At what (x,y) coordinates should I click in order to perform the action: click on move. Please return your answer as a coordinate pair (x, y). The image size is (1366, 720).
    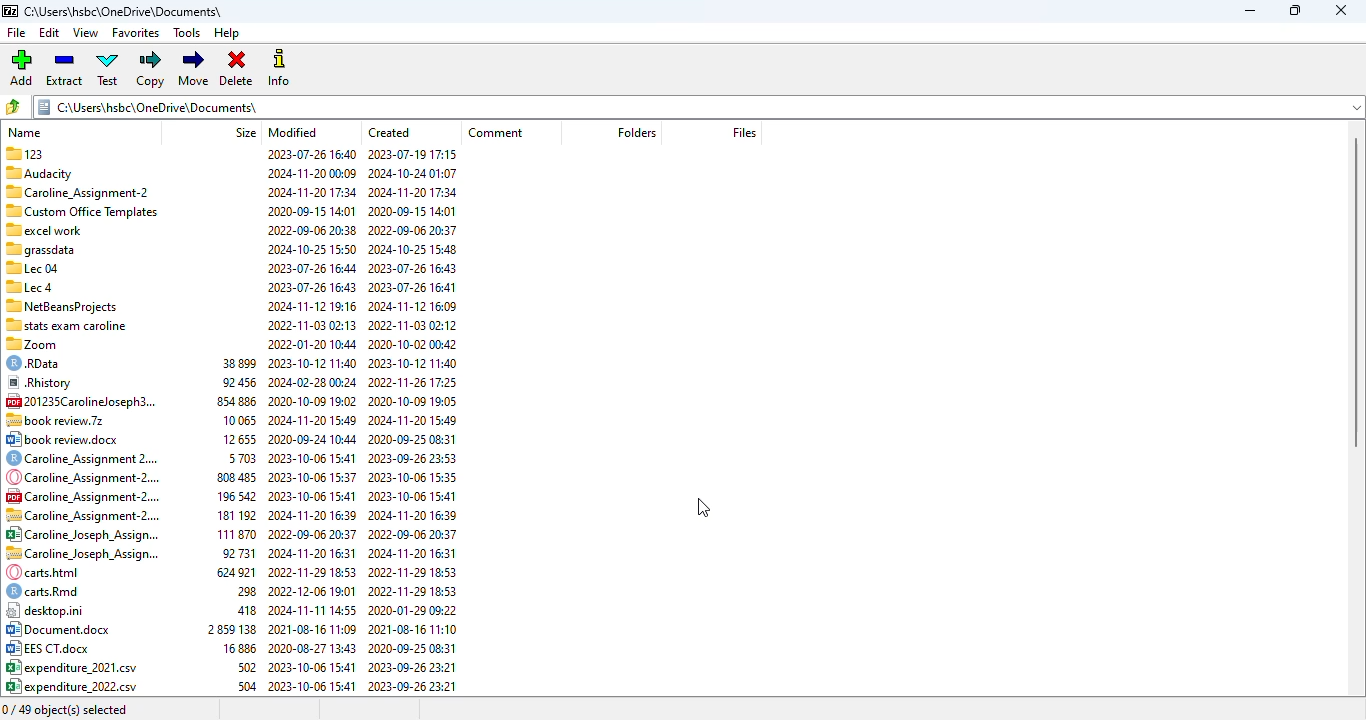
    Looking at the image, I should click on (195, 68).